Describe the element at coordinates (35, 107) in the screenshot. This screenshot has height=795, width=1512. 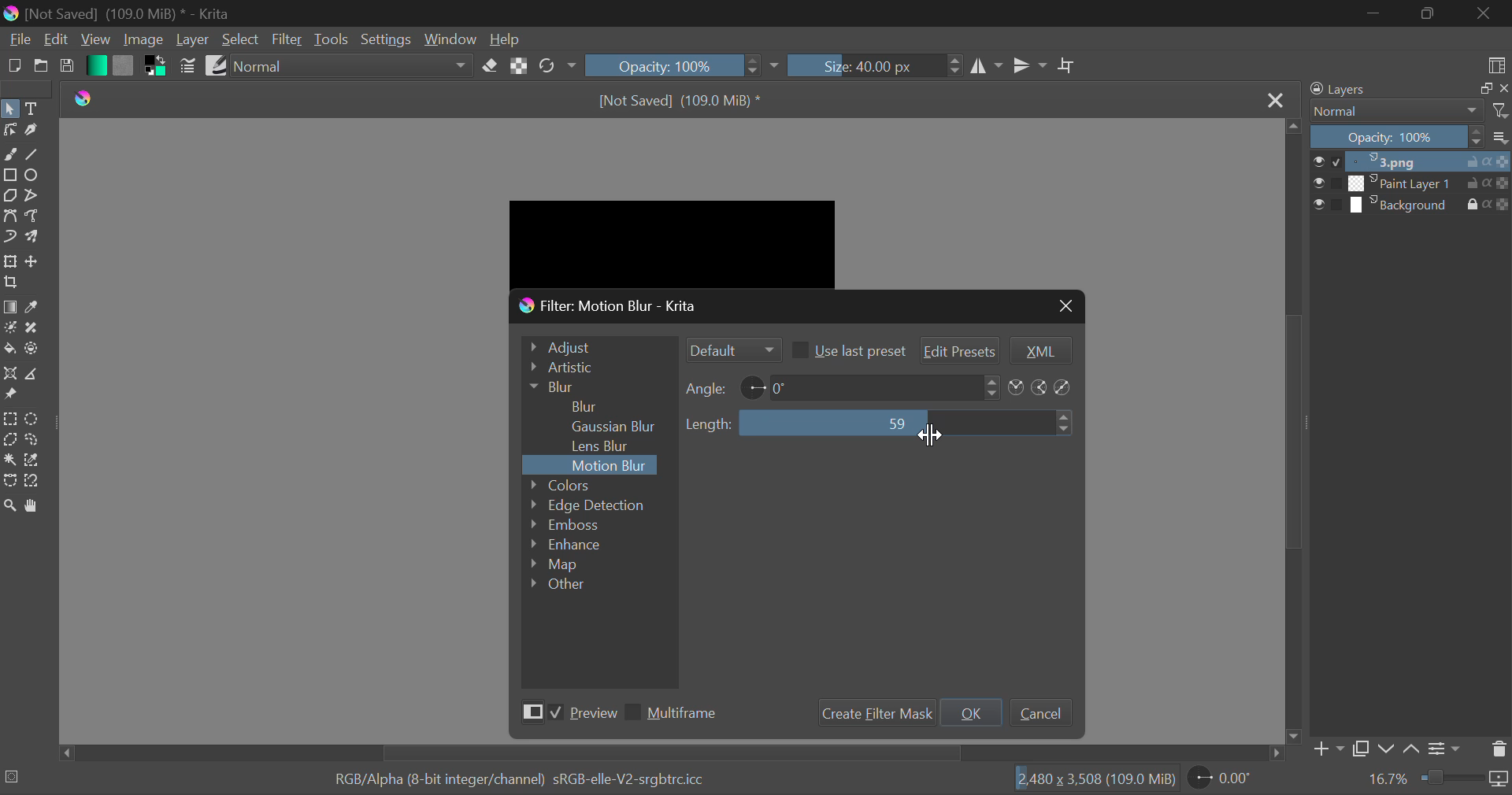
I see `Text` at that location.